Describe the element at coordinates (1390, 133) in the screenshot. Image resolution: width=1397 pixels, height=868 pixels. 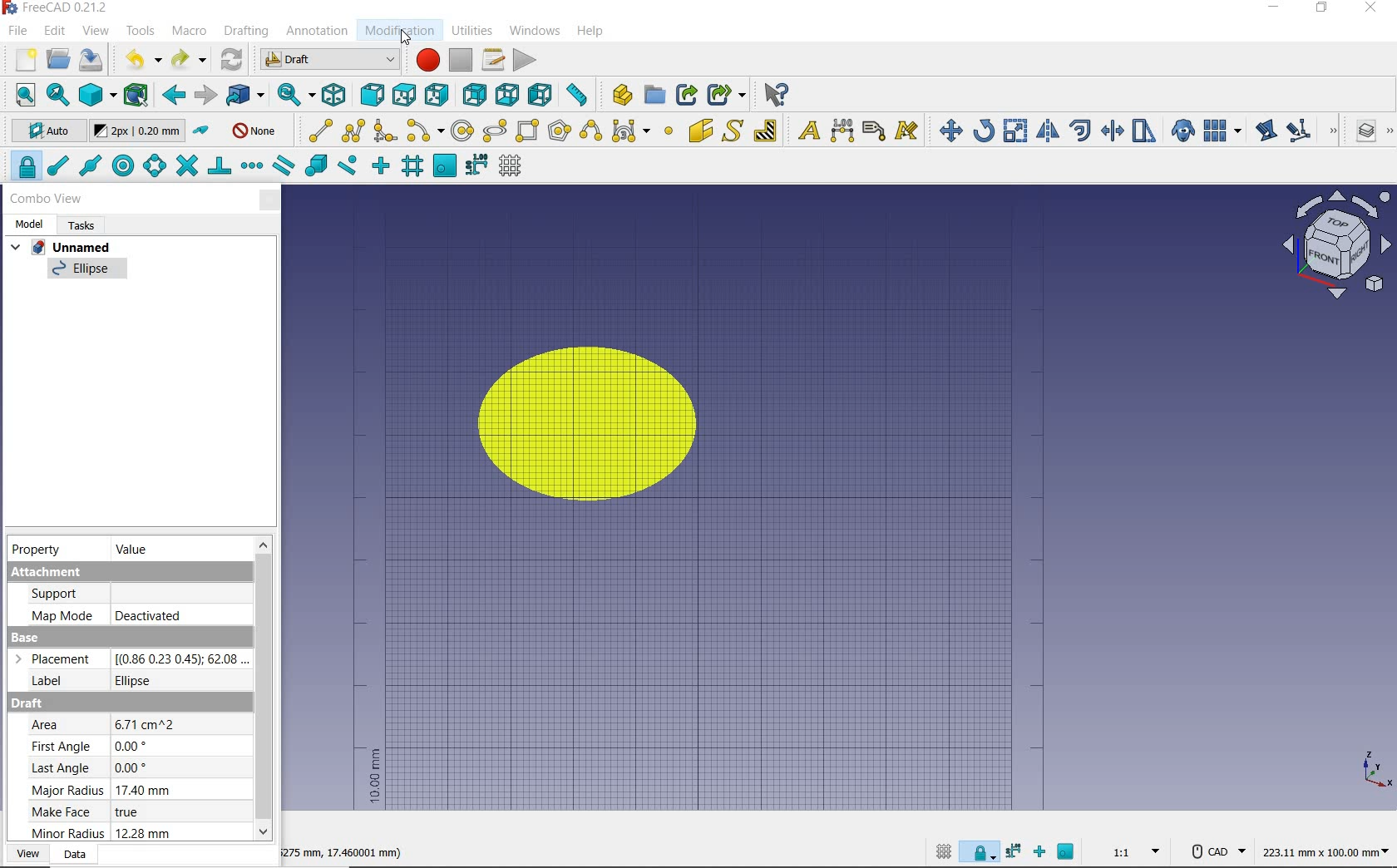
I see `draft utility tools` at that location.